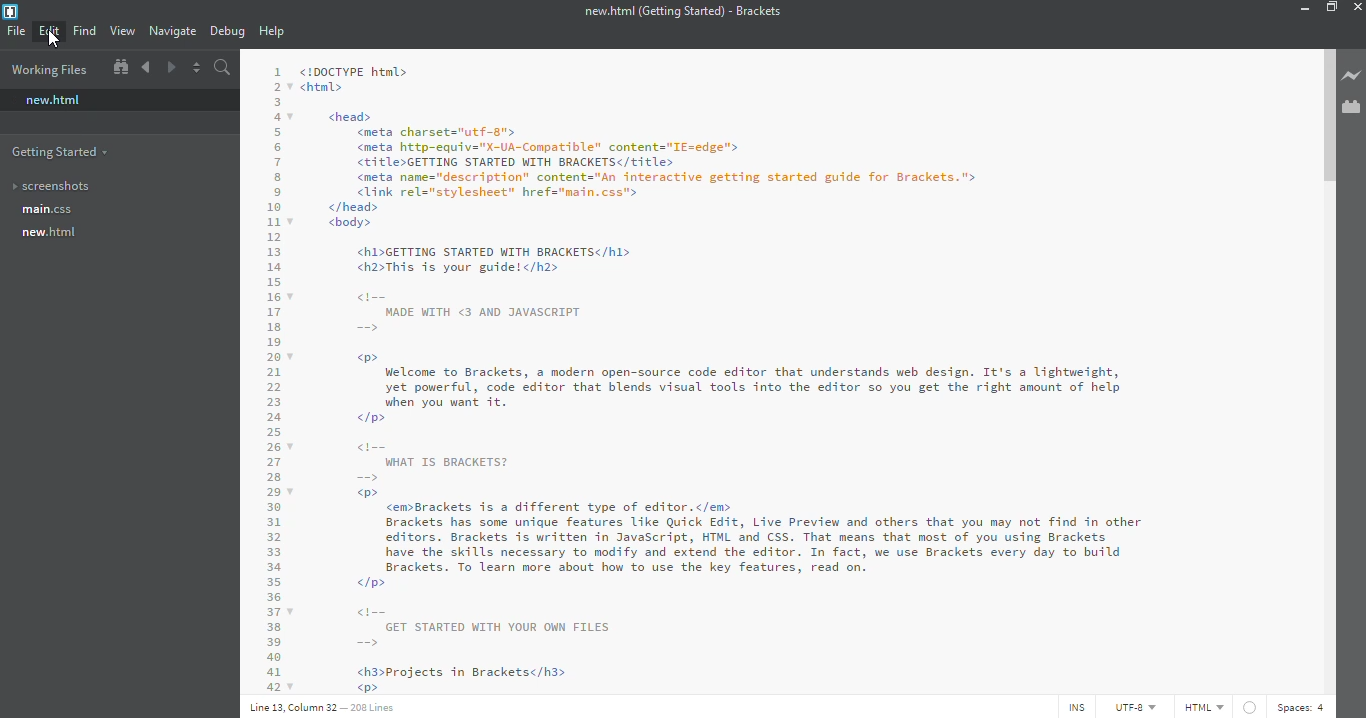  Describe the element at coordinates (50, 30) in the screenshot. I see `edit` at that location.